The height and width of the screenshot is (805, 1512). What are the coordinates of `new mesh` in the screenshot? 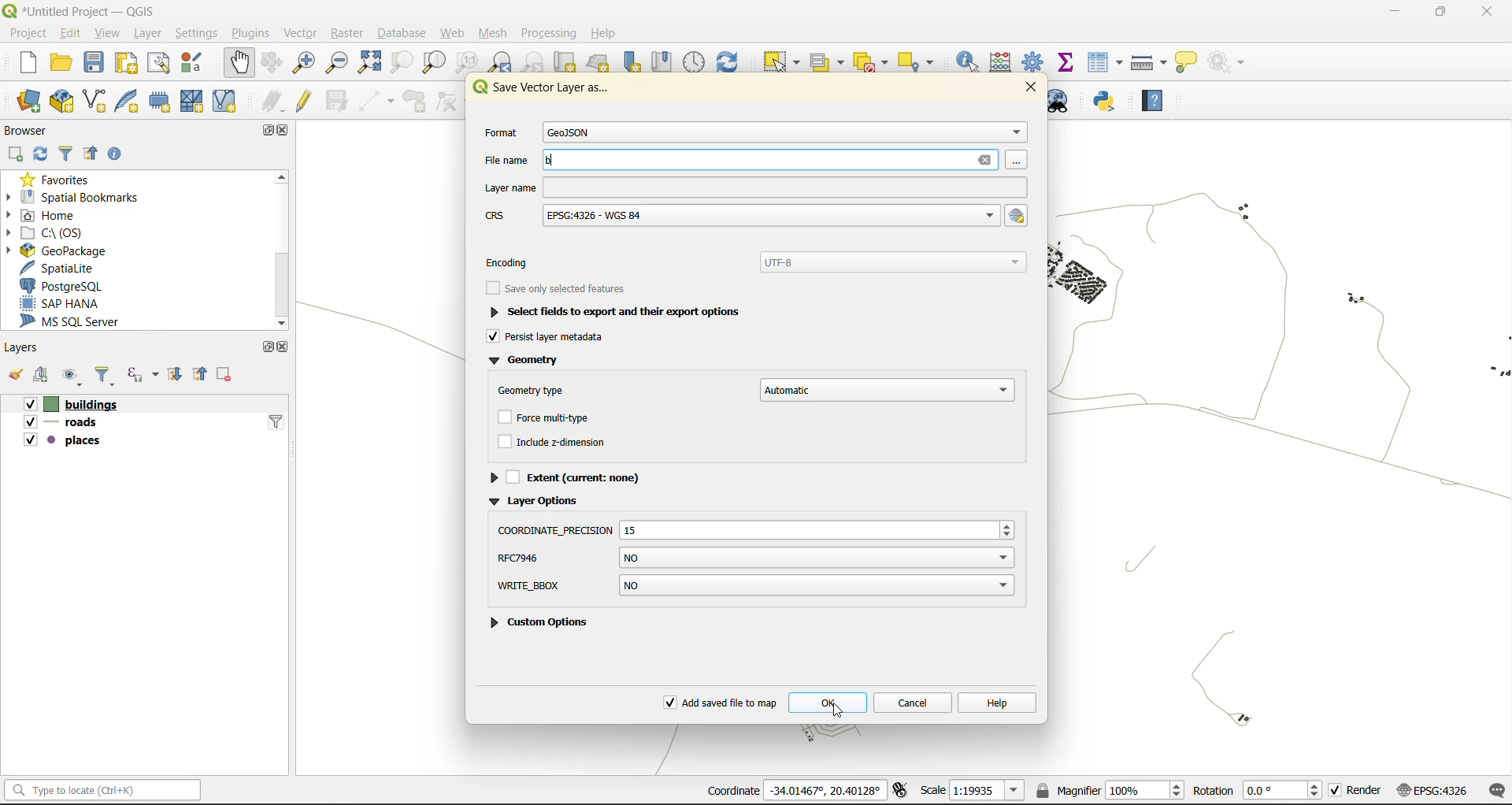 It's located at (190, 101).